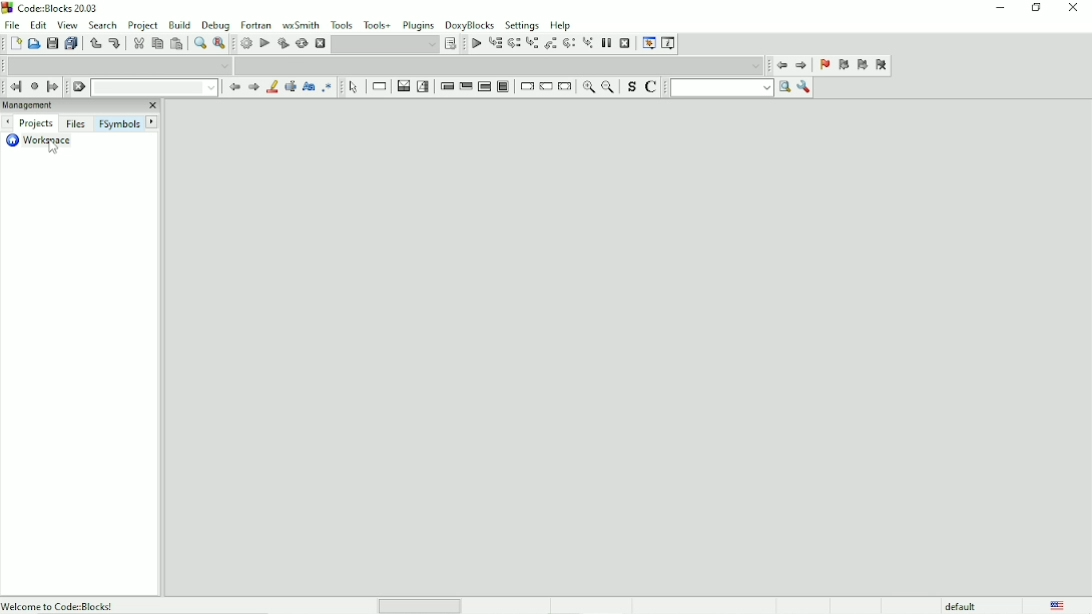 The image size is (1092, 614). I want to click on Break instruction, so click(526, 87).